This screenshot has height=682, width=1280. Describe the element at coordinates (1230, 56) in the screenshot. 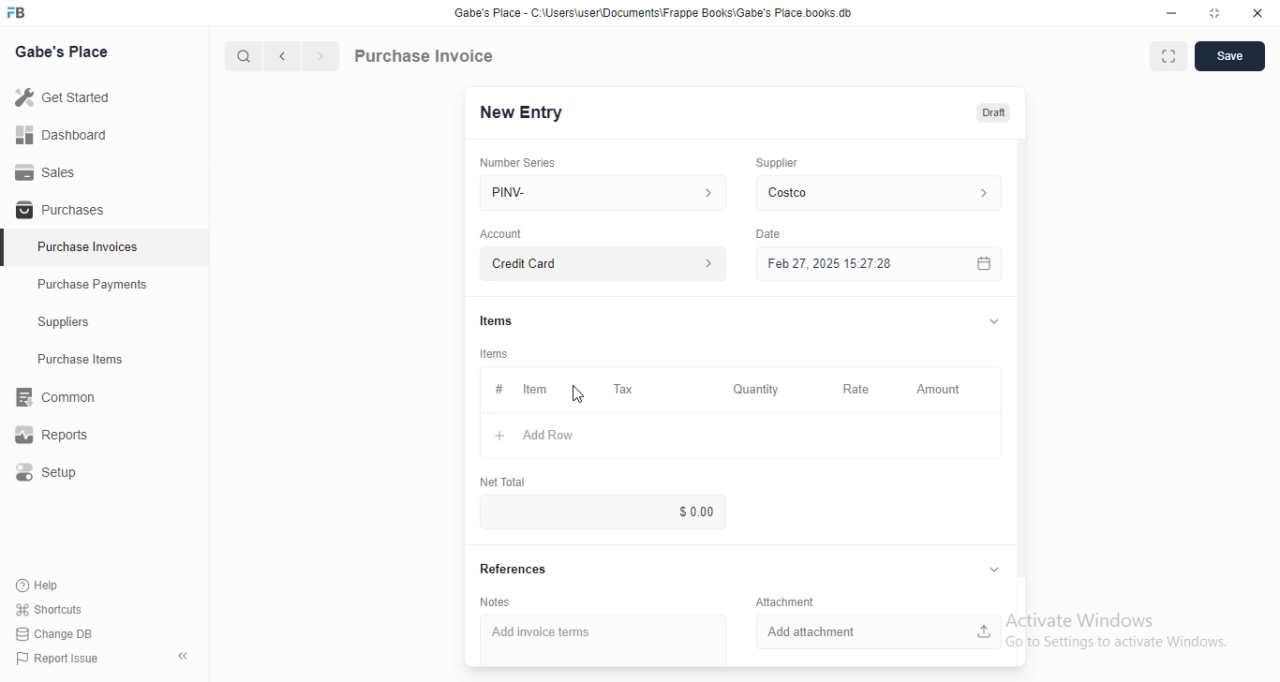

I see `Save` at that location.